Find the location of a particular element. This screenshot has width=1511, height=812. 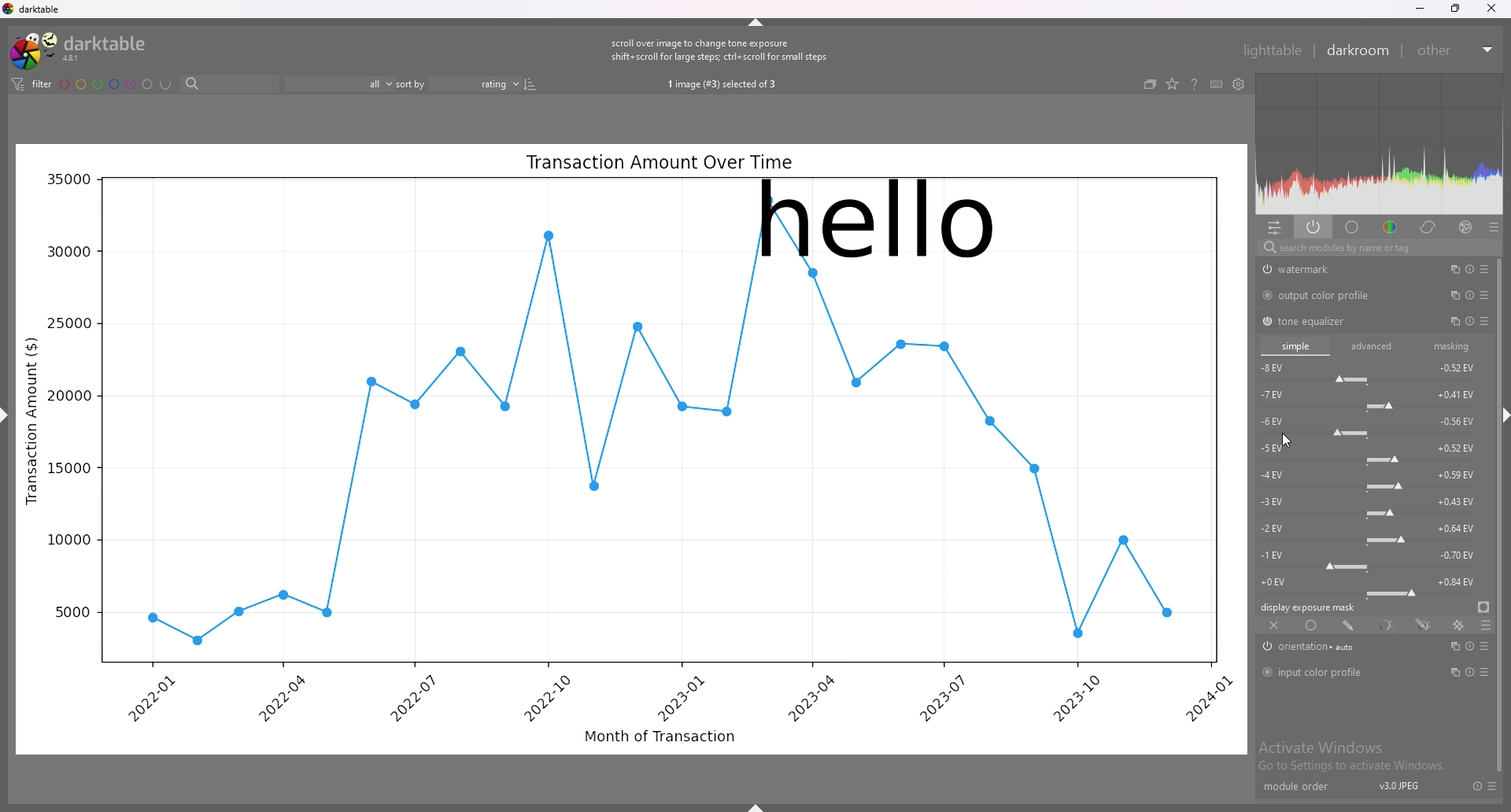

watermark is located at coordinates (1317, 270).